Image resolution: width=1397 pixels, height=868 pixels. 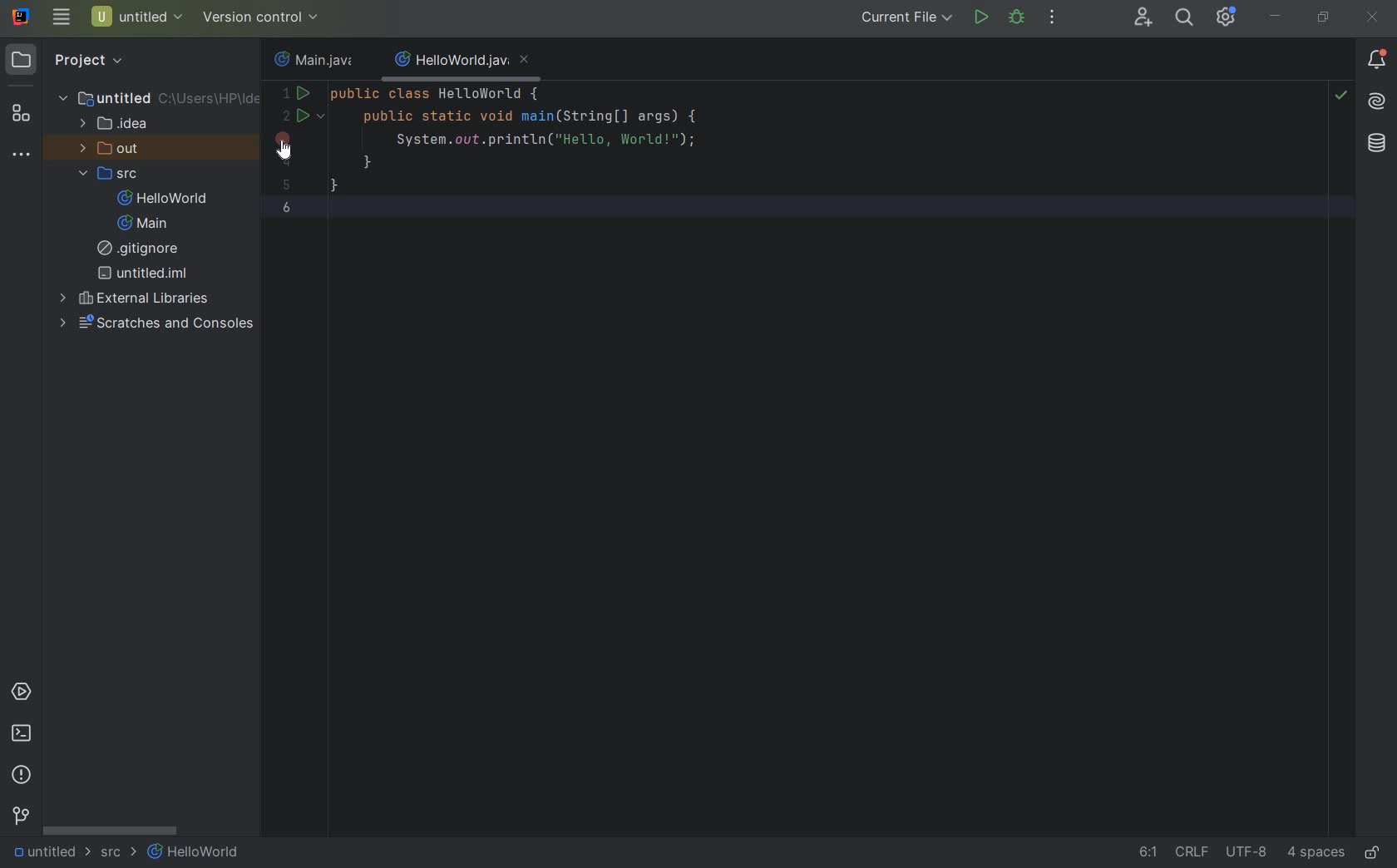 I want to click on run, so click(x=980, y=17).